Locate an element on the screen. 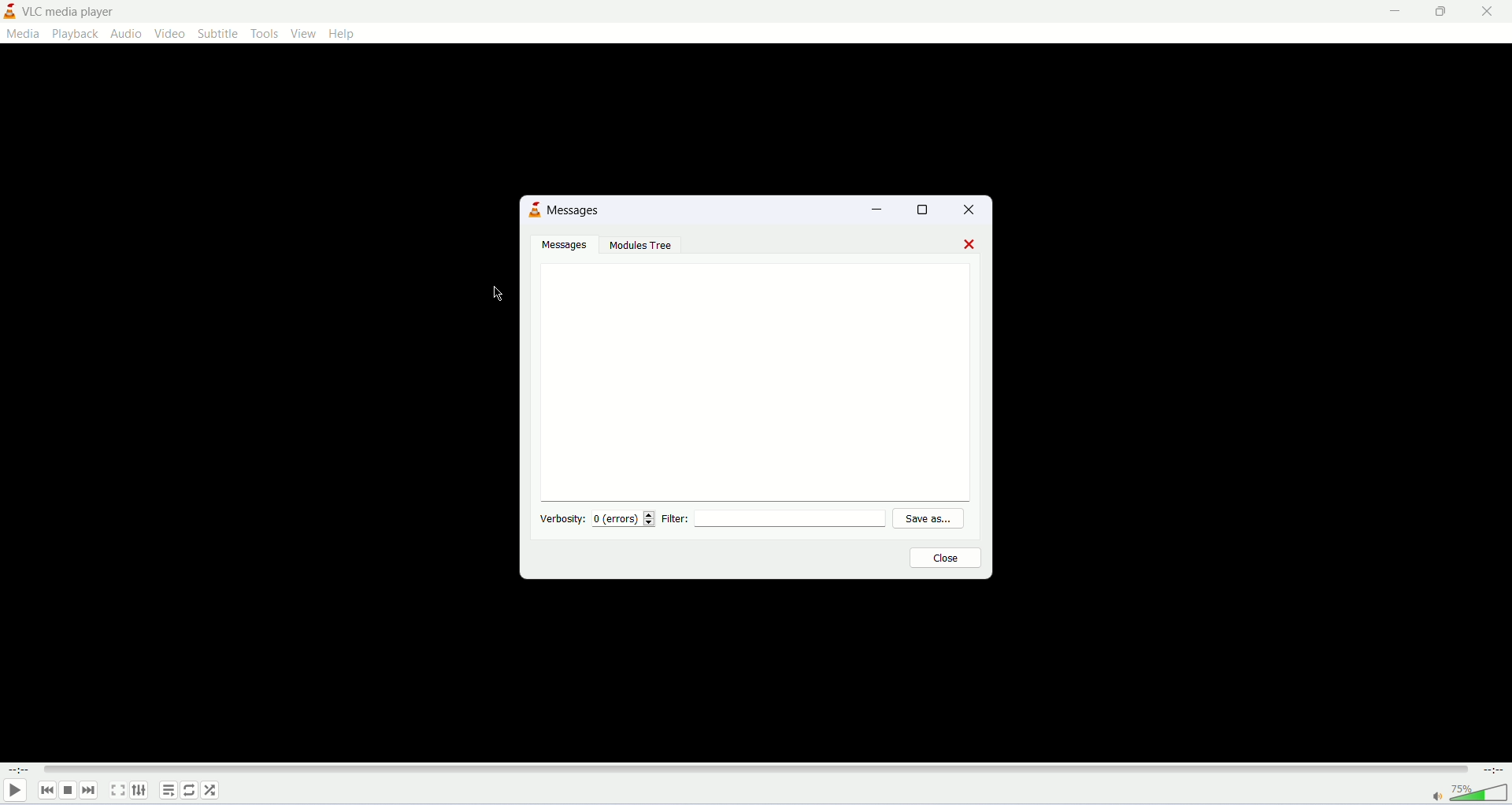 The image size is (1512, 805). loop is located at coordinates (187, 792).